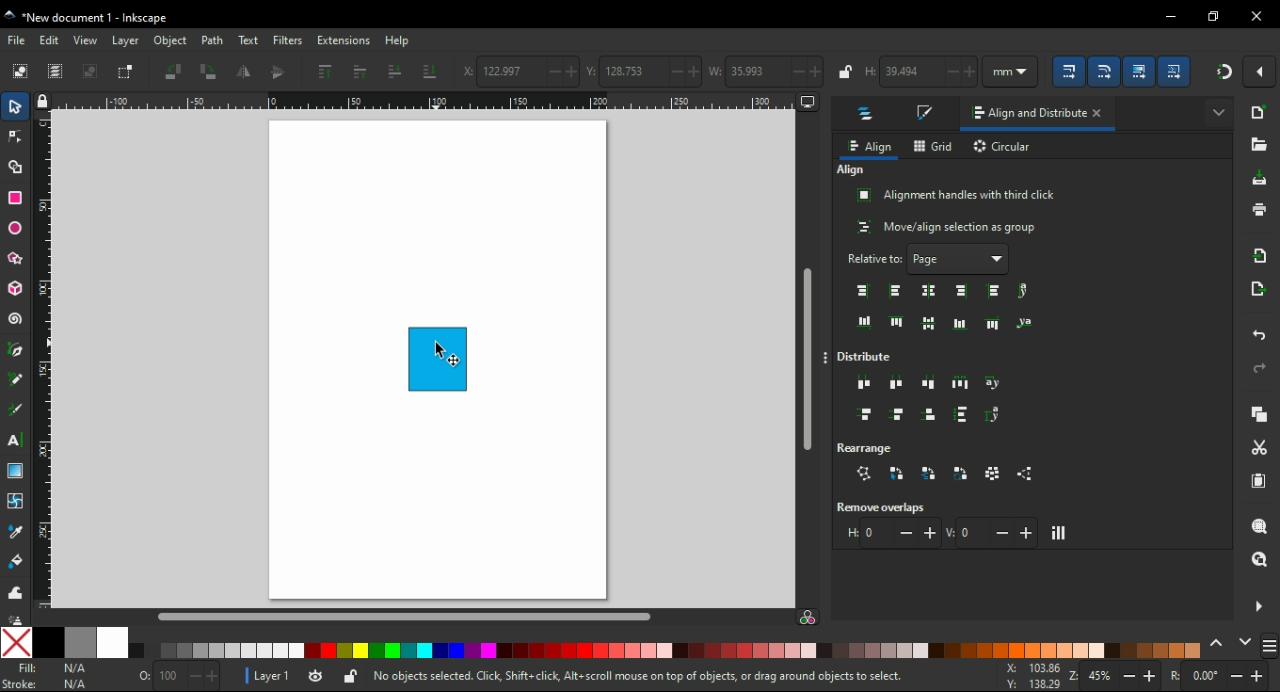 This screenshot has height=692, width=1280. I want to click on flip horizontal, so click(242, 72).